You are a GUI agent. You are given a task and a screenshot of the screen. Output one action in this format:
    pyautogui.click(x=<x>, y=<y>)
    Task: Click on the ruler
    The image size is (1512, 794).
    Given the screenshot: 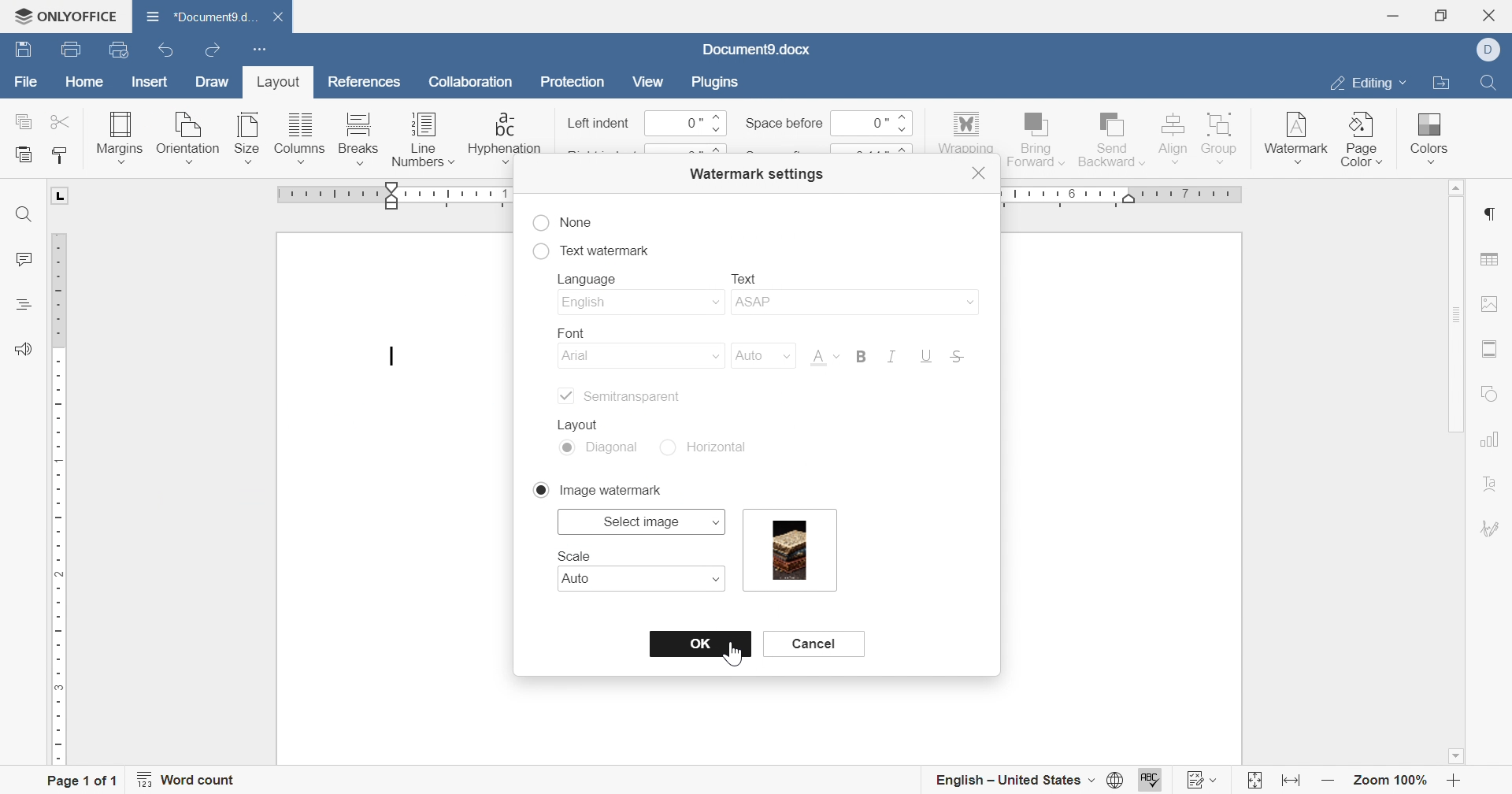 What is the action you would take?
    pyautogui.click(x=59, y=499)
    